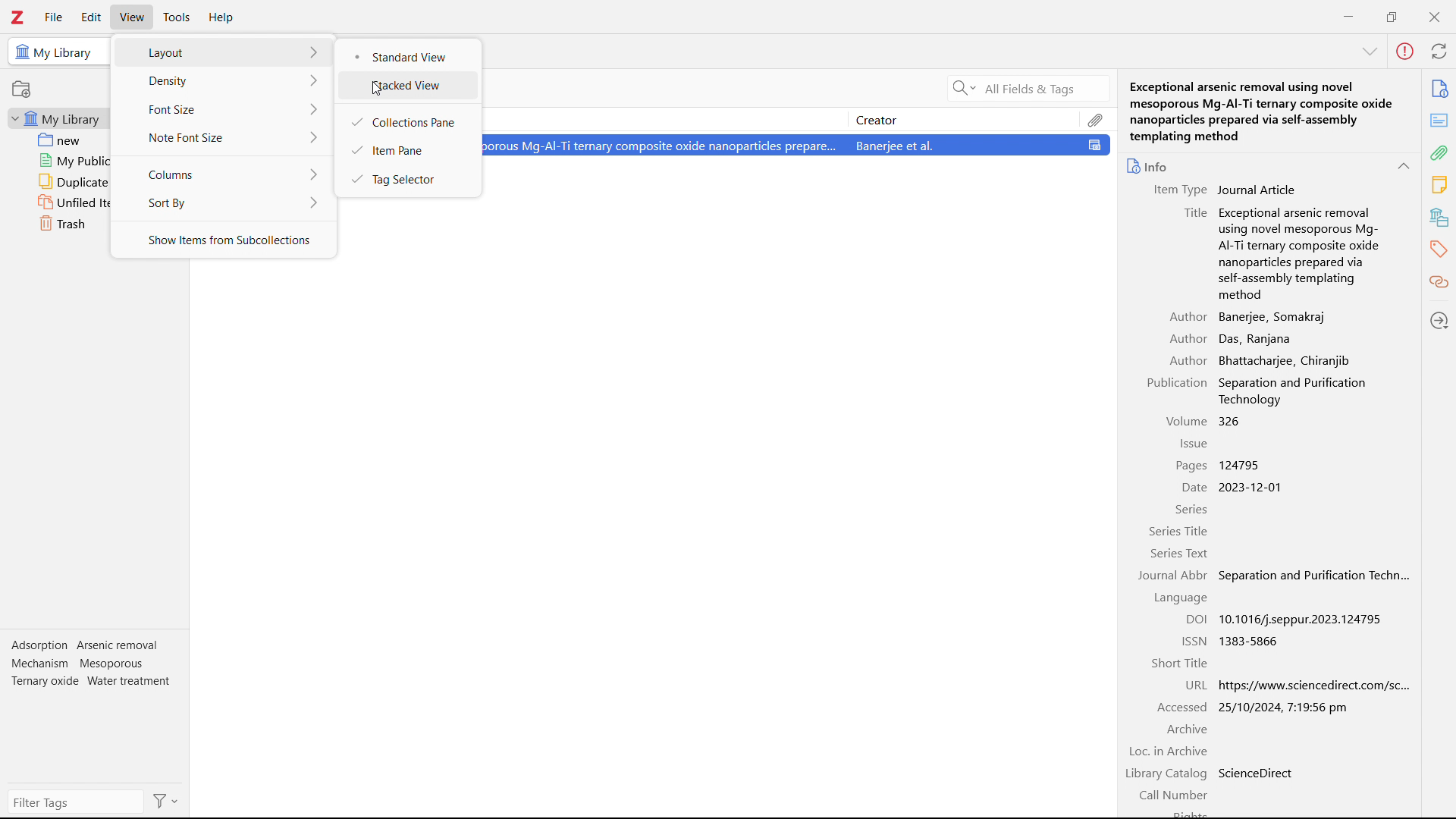 Image resolution: width=1456 pixels, height=819 pixels. Describe the element at coordinates (1191, 509) in the screenshot. I see `Series` at that location.